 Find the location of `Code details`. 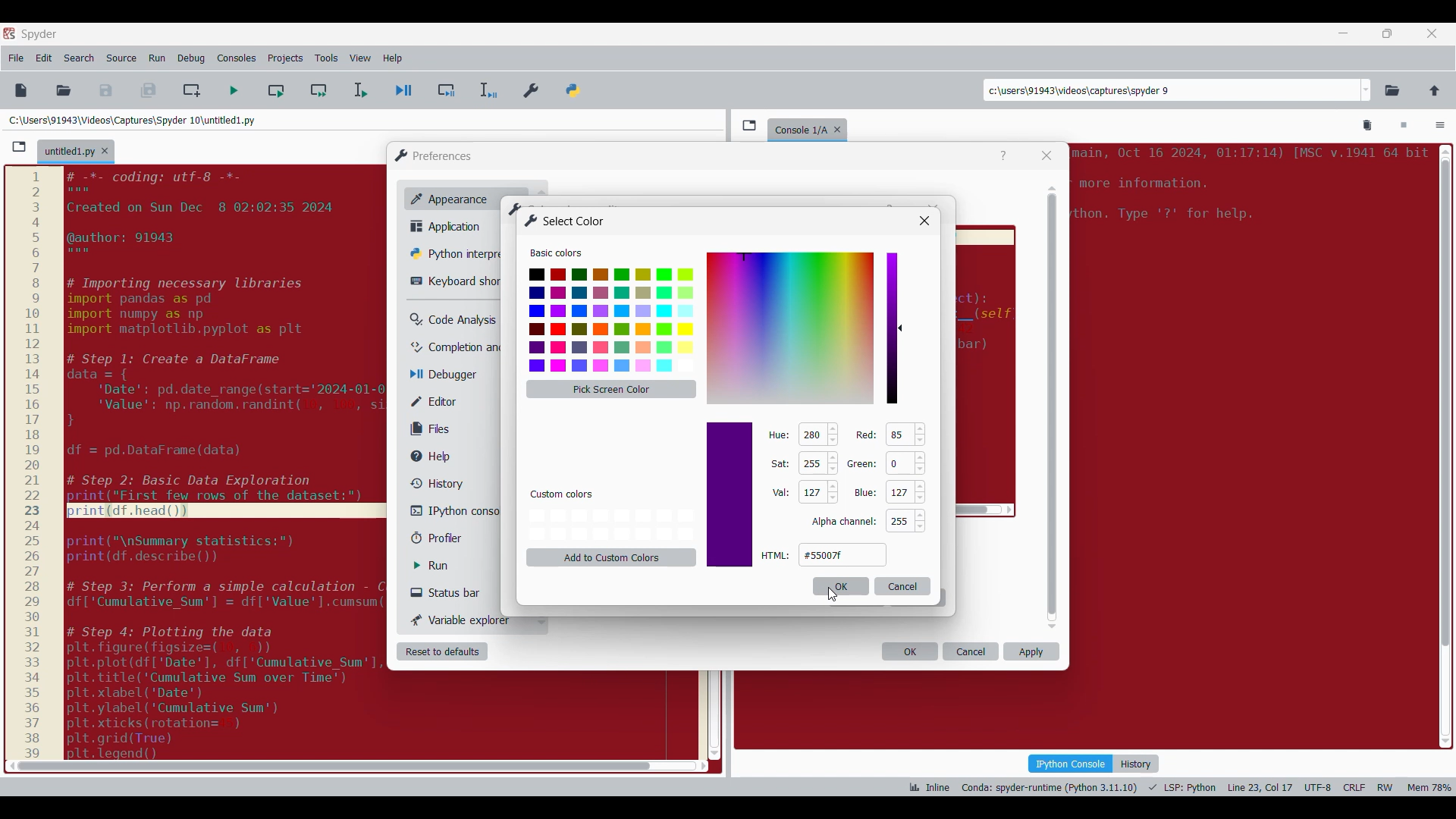

Code details is located at coordinates (1178, 787).